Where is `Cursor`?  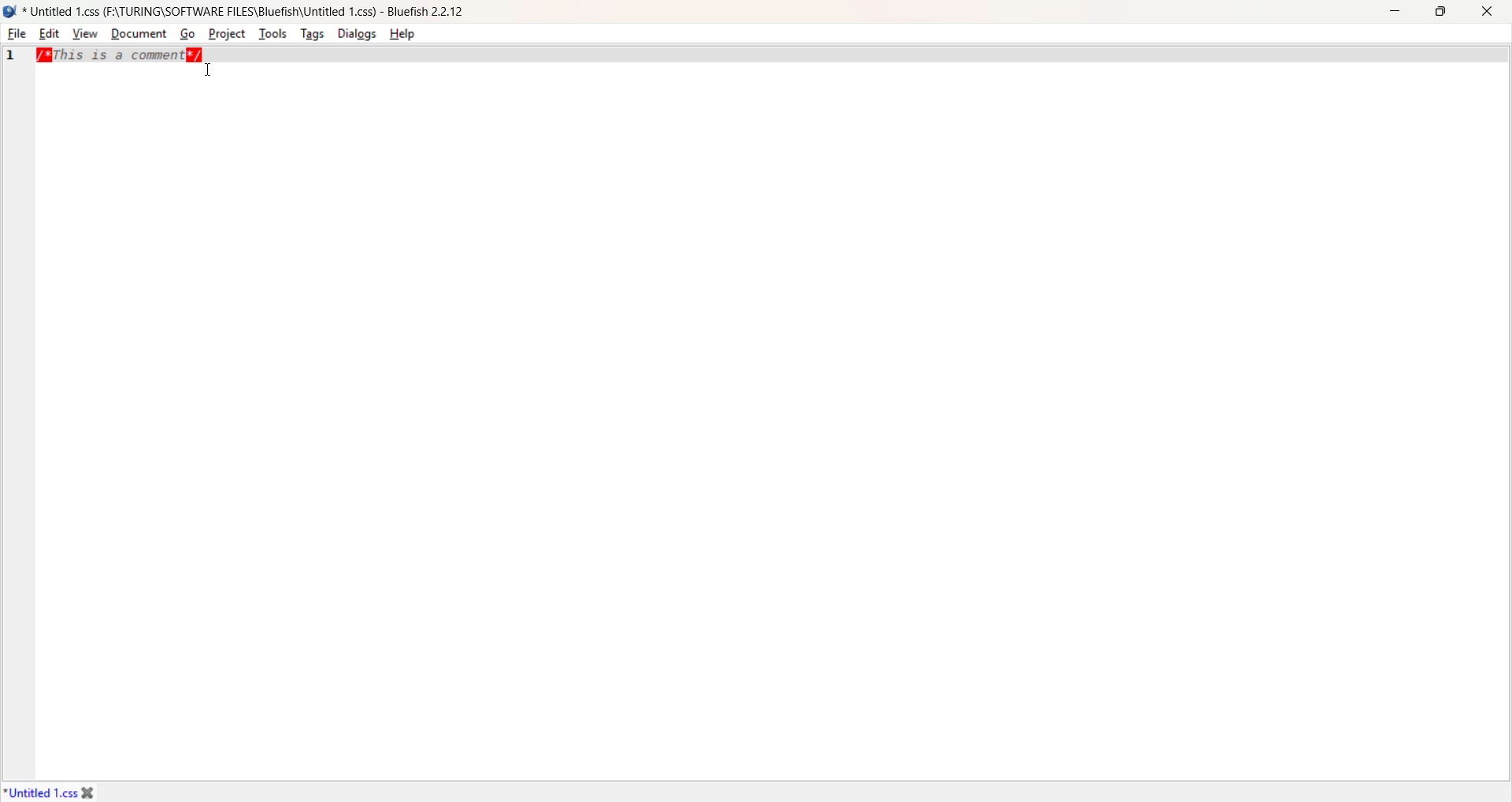
Cursor is located at coordinates (212, 72).